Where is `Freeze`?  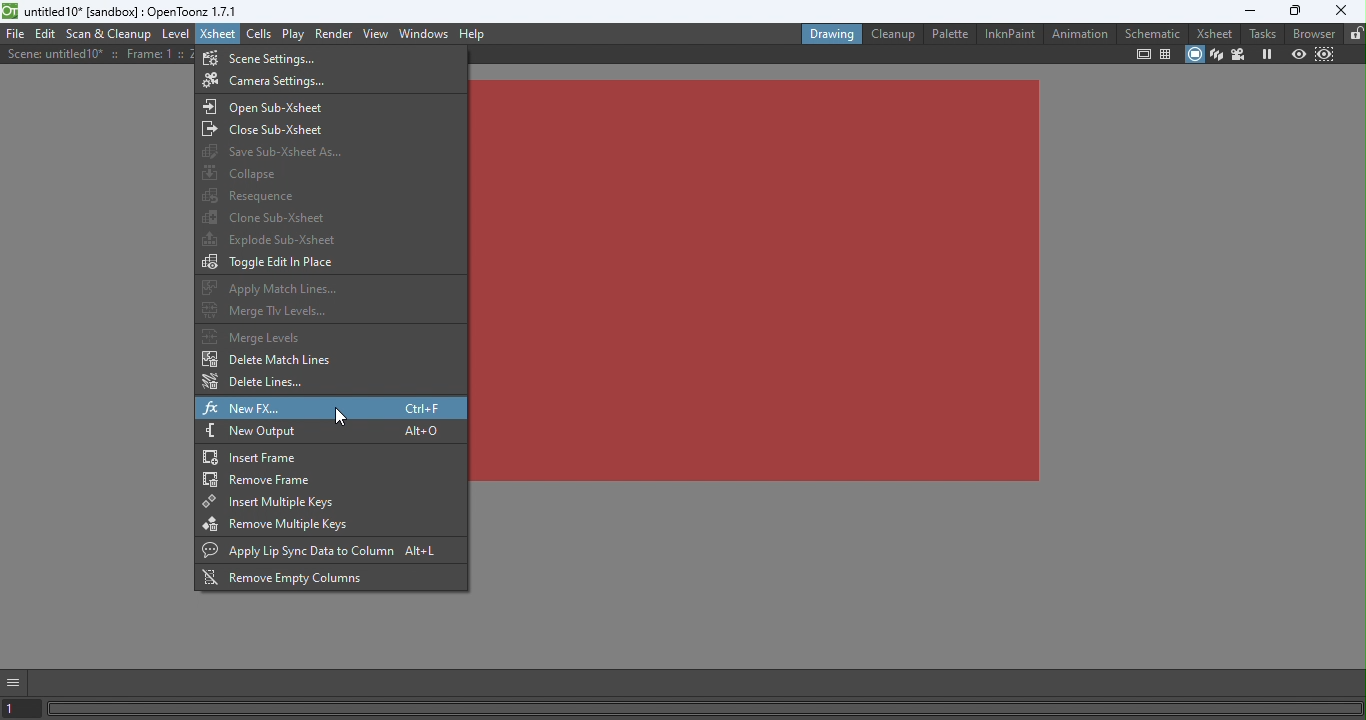 Freeze is located at coordinates (1267, 53).